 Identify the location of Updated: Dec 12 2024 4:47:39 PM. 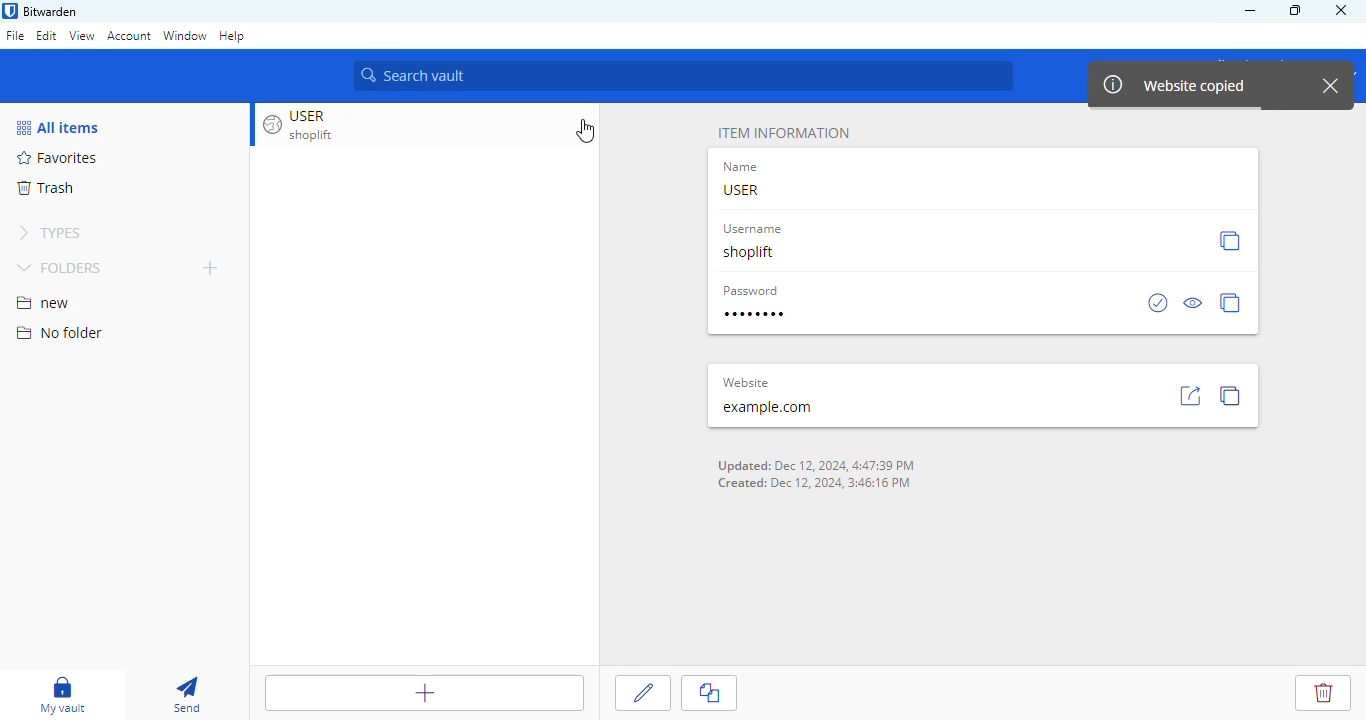
(814, 464).